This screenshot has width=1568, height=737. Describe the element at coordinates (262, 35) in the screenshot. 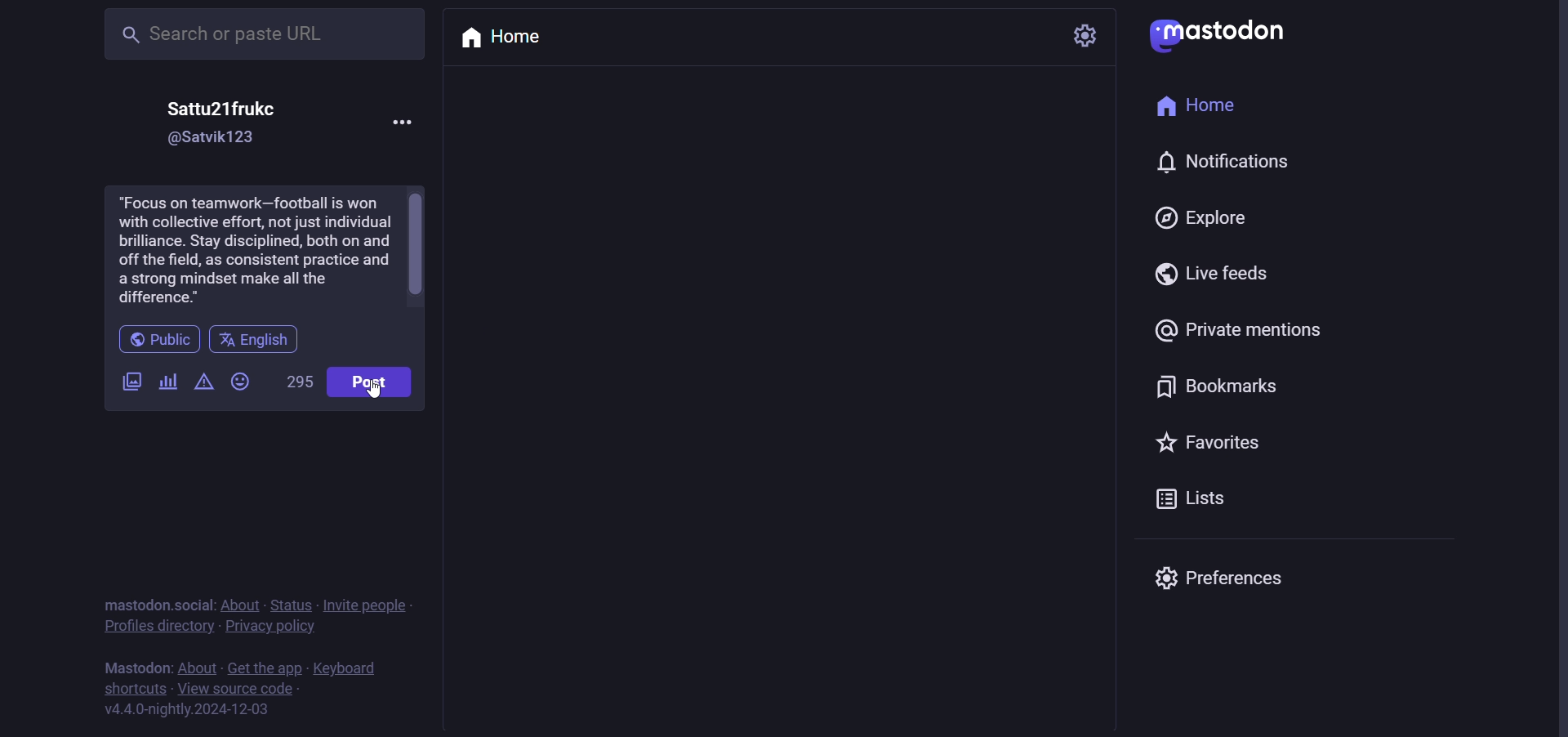

I see `search` at that location.